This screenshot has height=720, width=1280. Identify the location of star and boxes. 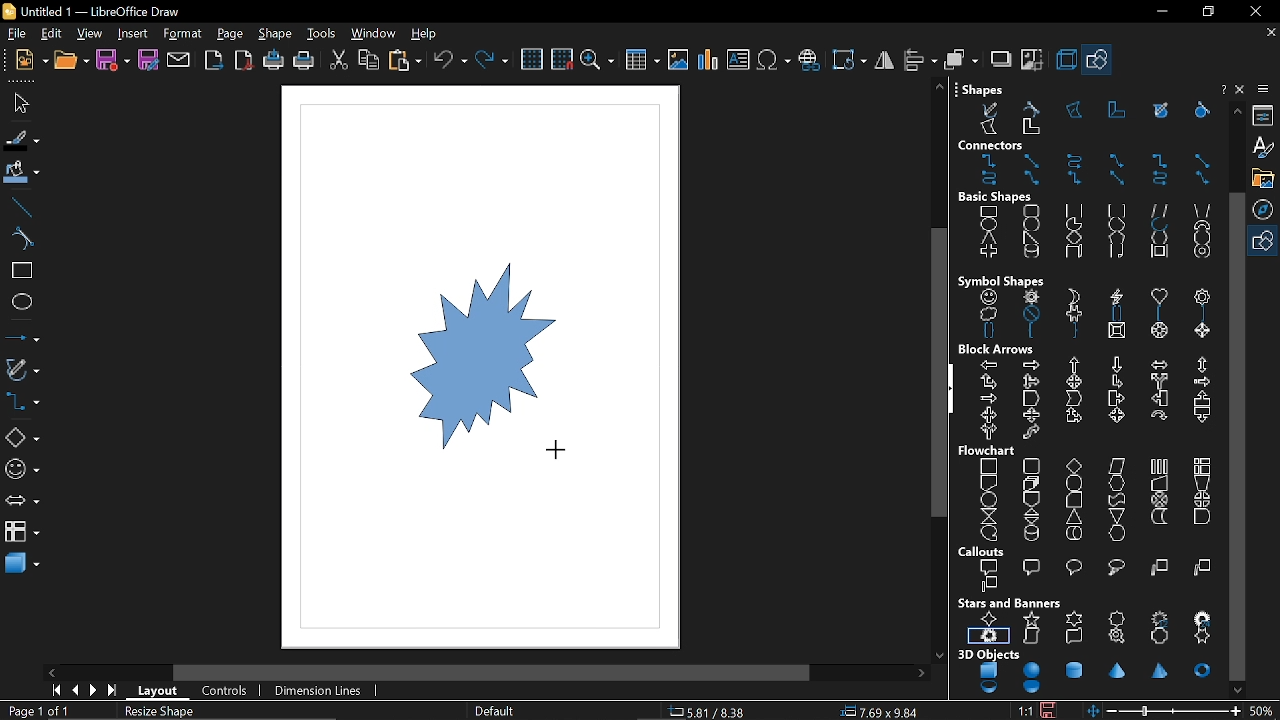
(1088, 621).